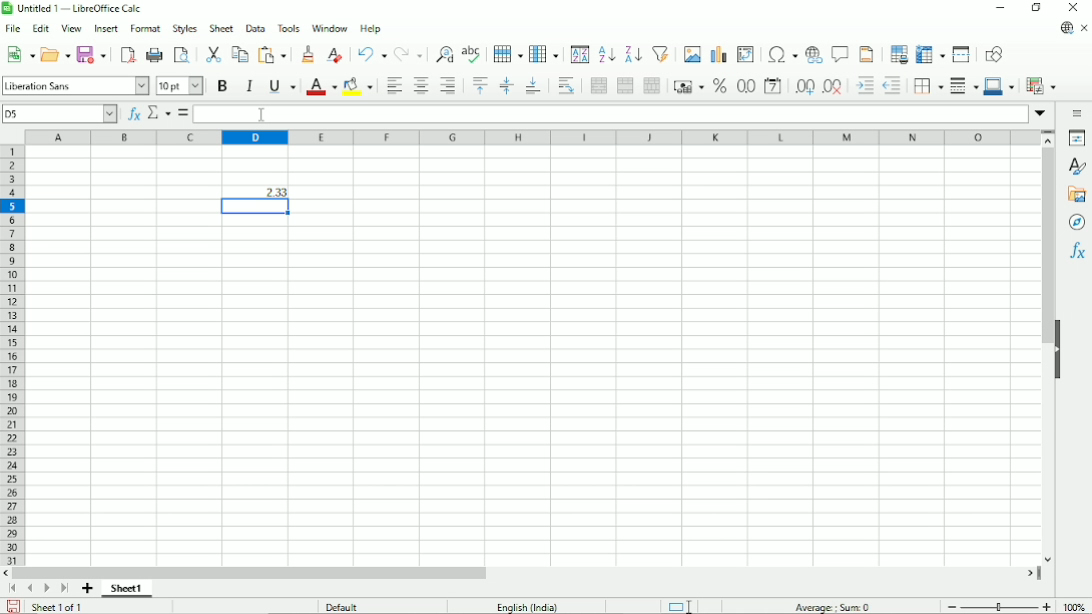 Image resolution: width=1092 pixels, height=614 pixels. I want to click on Select function, so click(160, 114).